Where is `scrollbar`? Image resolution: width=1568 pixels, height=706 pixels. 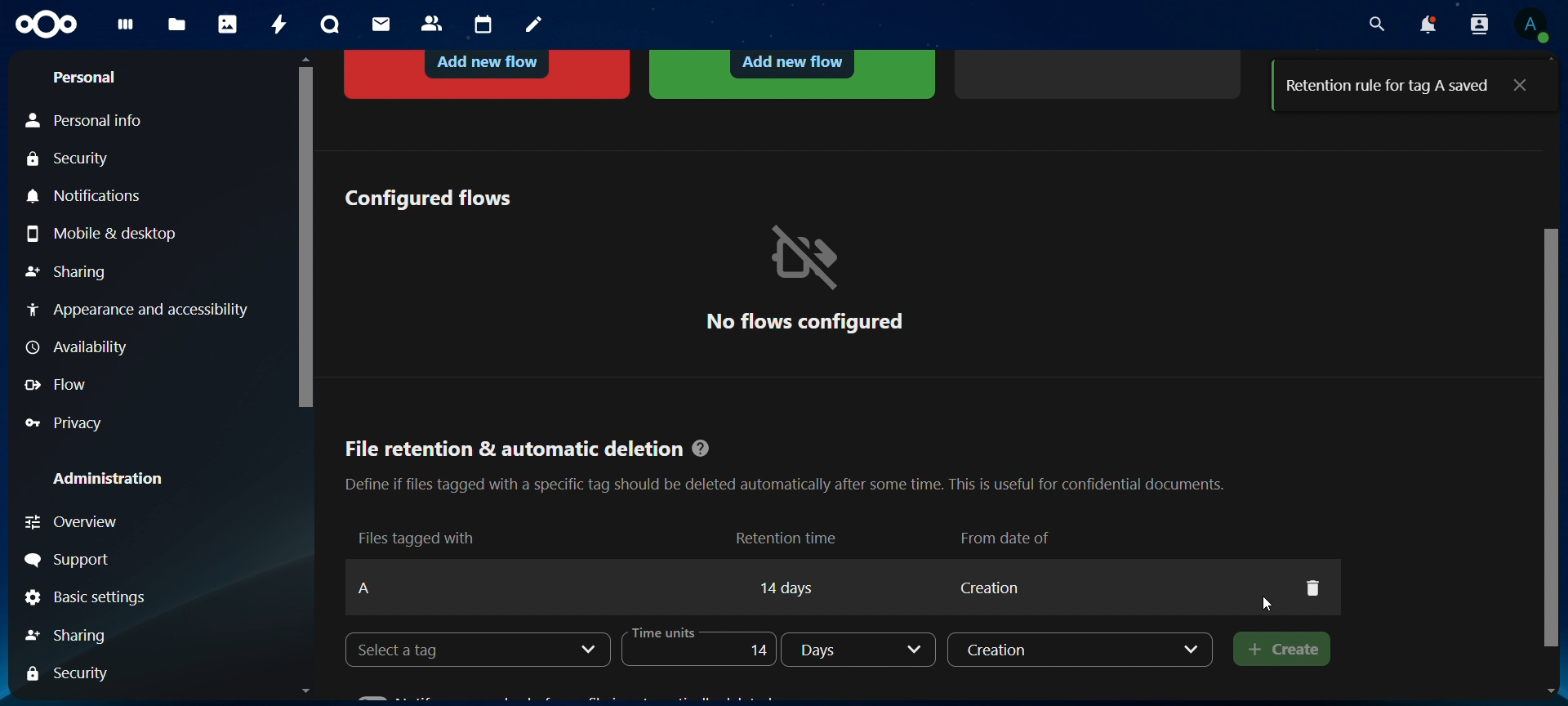
scrollbar is located at coordinates (302, 233).